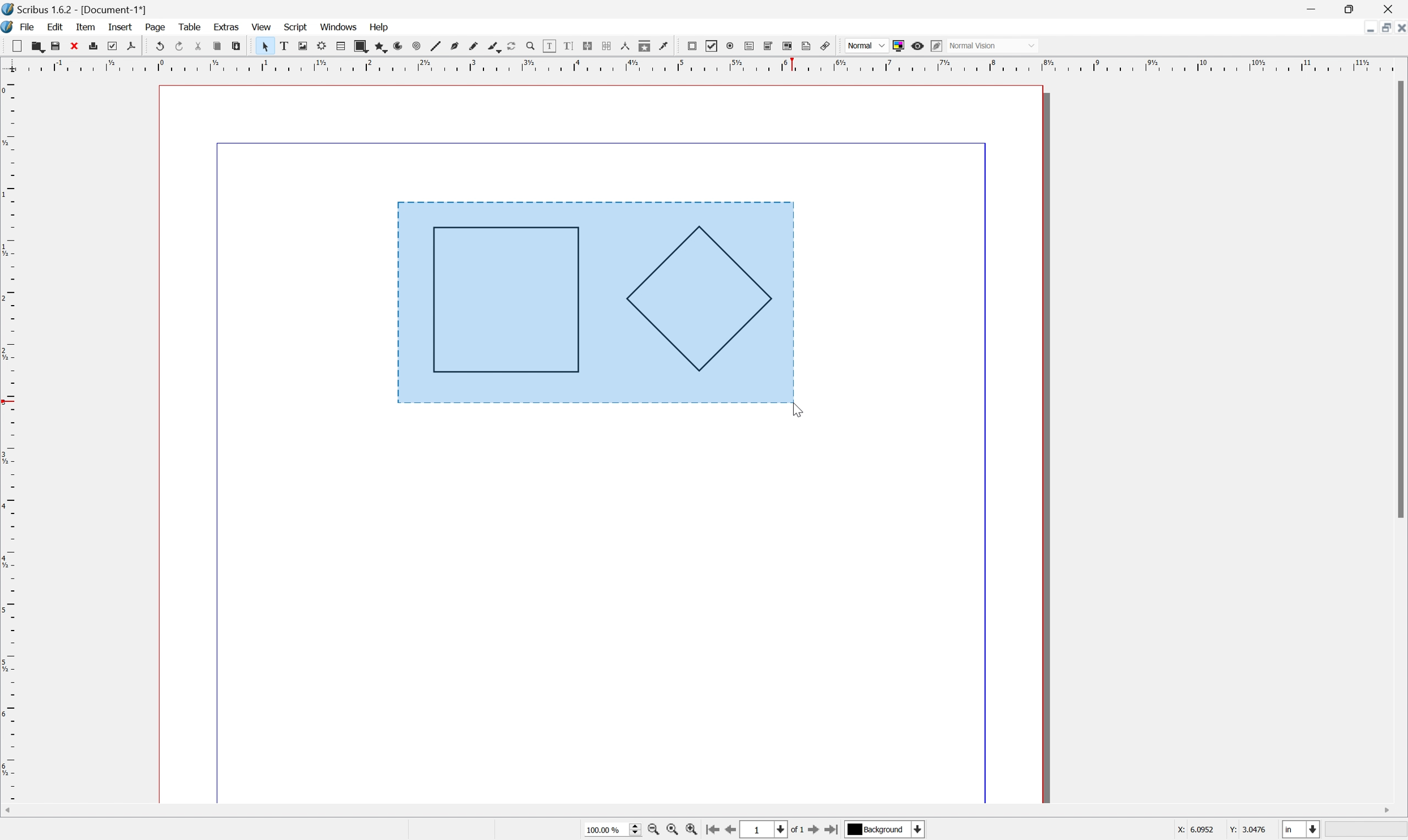  I want to click on Link annotation, so click(826, 46).